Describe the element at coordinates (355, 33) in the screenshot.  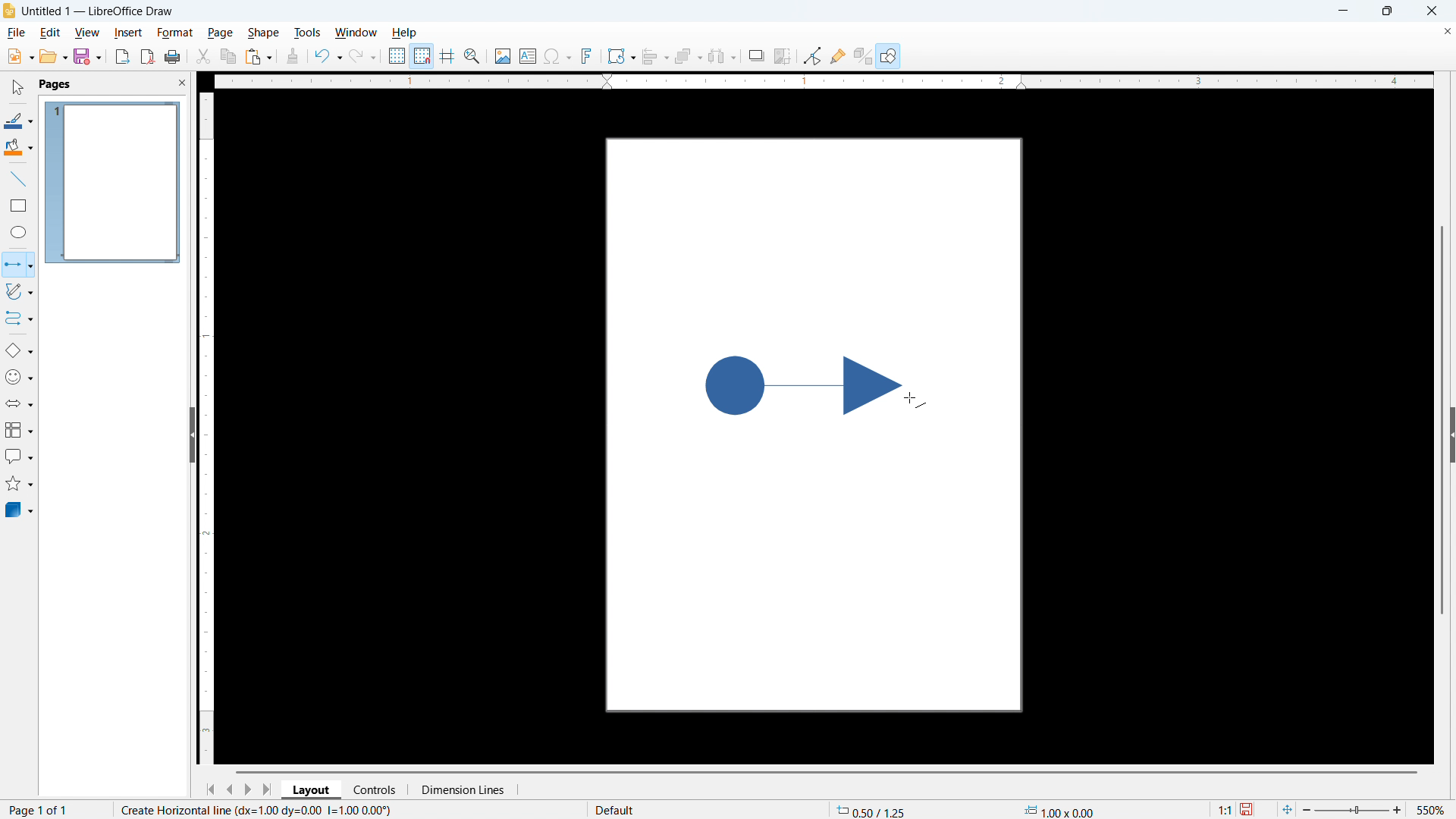
I see `Window ` at that location.